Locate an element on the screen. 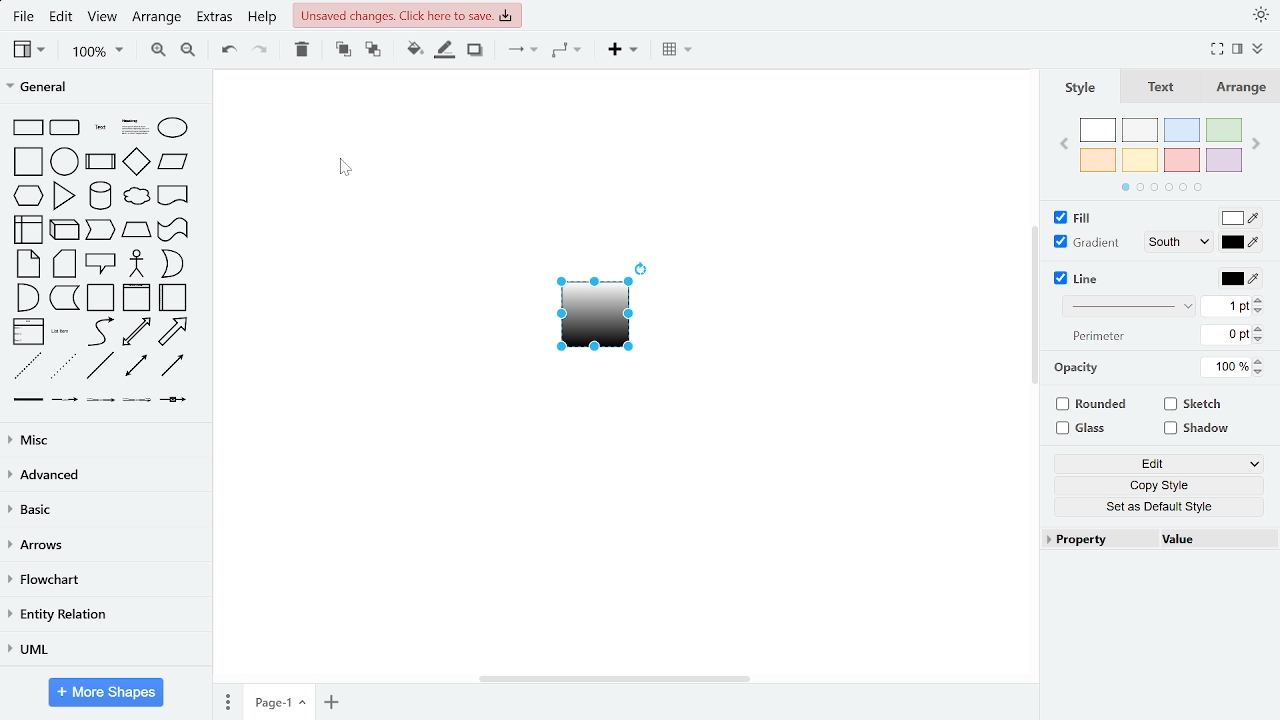  general shapes is located at coordinates (61, 194).